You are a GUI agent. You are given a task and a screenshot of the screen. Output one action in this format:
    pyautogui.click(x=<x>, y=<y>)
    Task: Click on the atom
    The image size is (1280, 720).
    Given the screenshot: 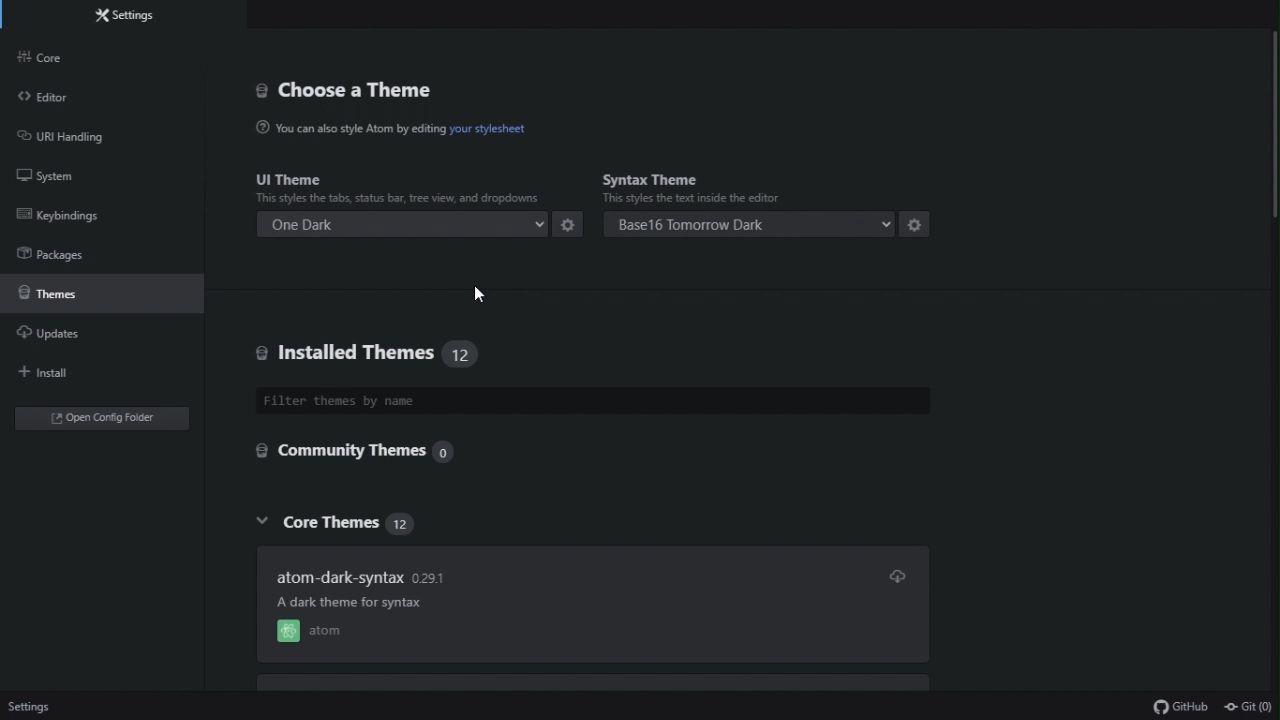 What is the action you would take?
    pyautogui.click(x=311, y=633)
    